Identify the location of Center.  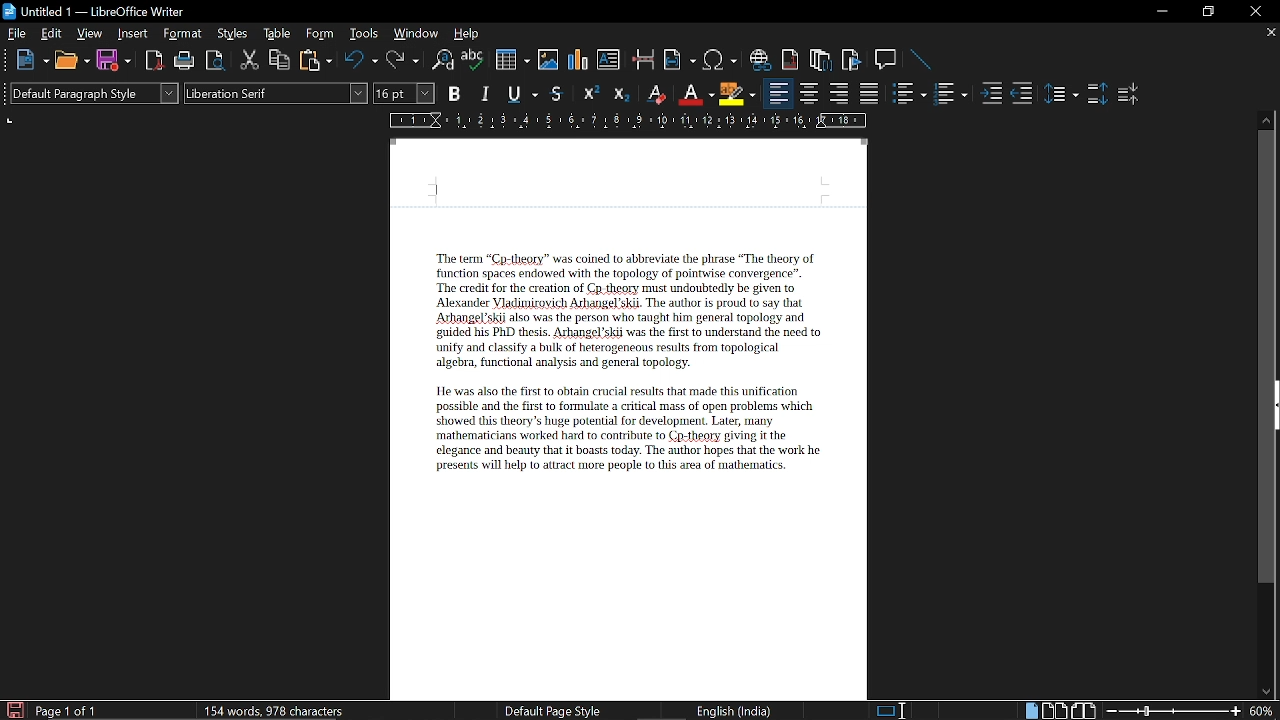
(810, 93).